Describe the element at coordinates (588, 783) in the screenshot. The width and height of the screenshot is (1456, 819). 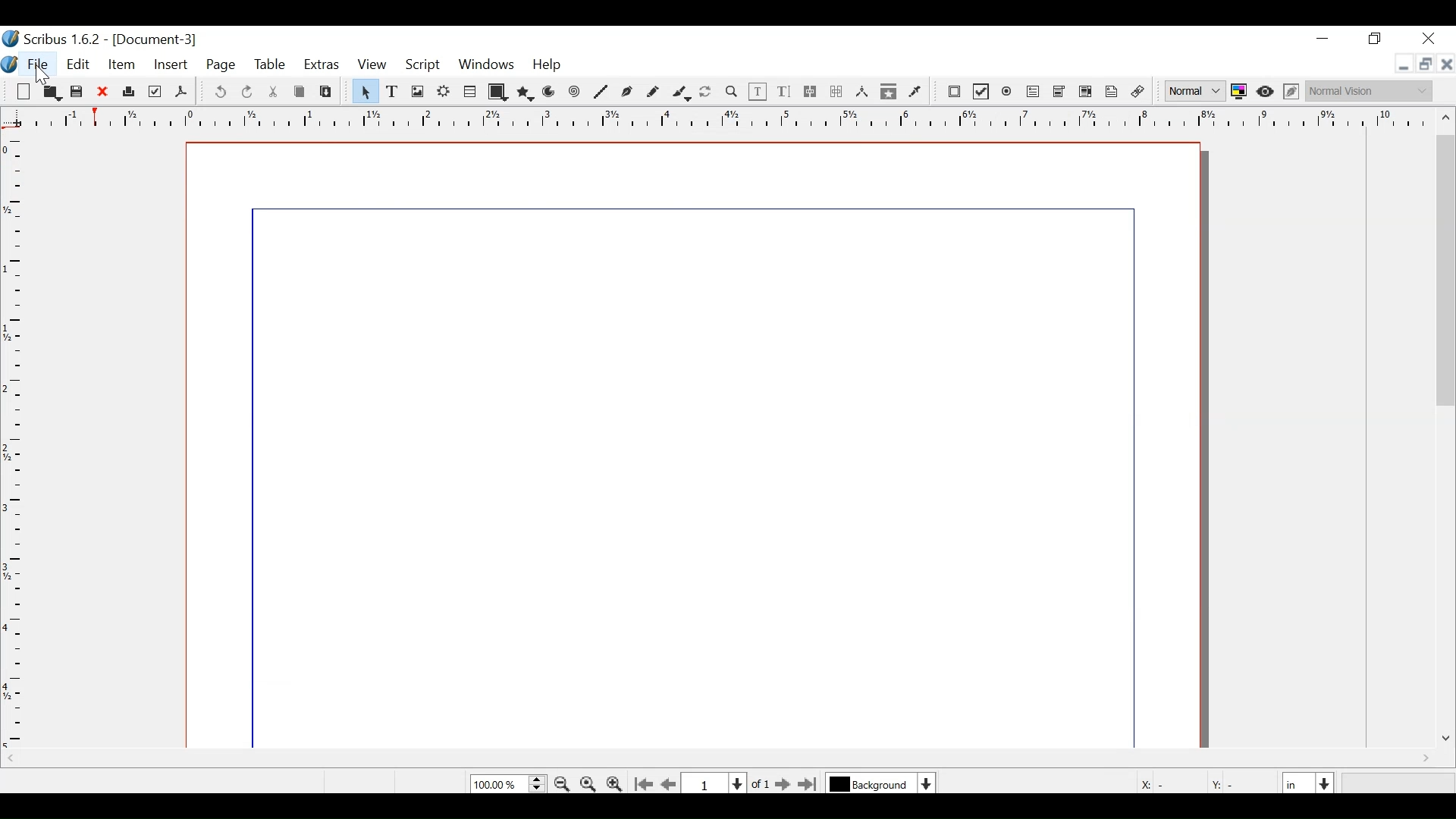
I see `Zoom to 100` at that location.